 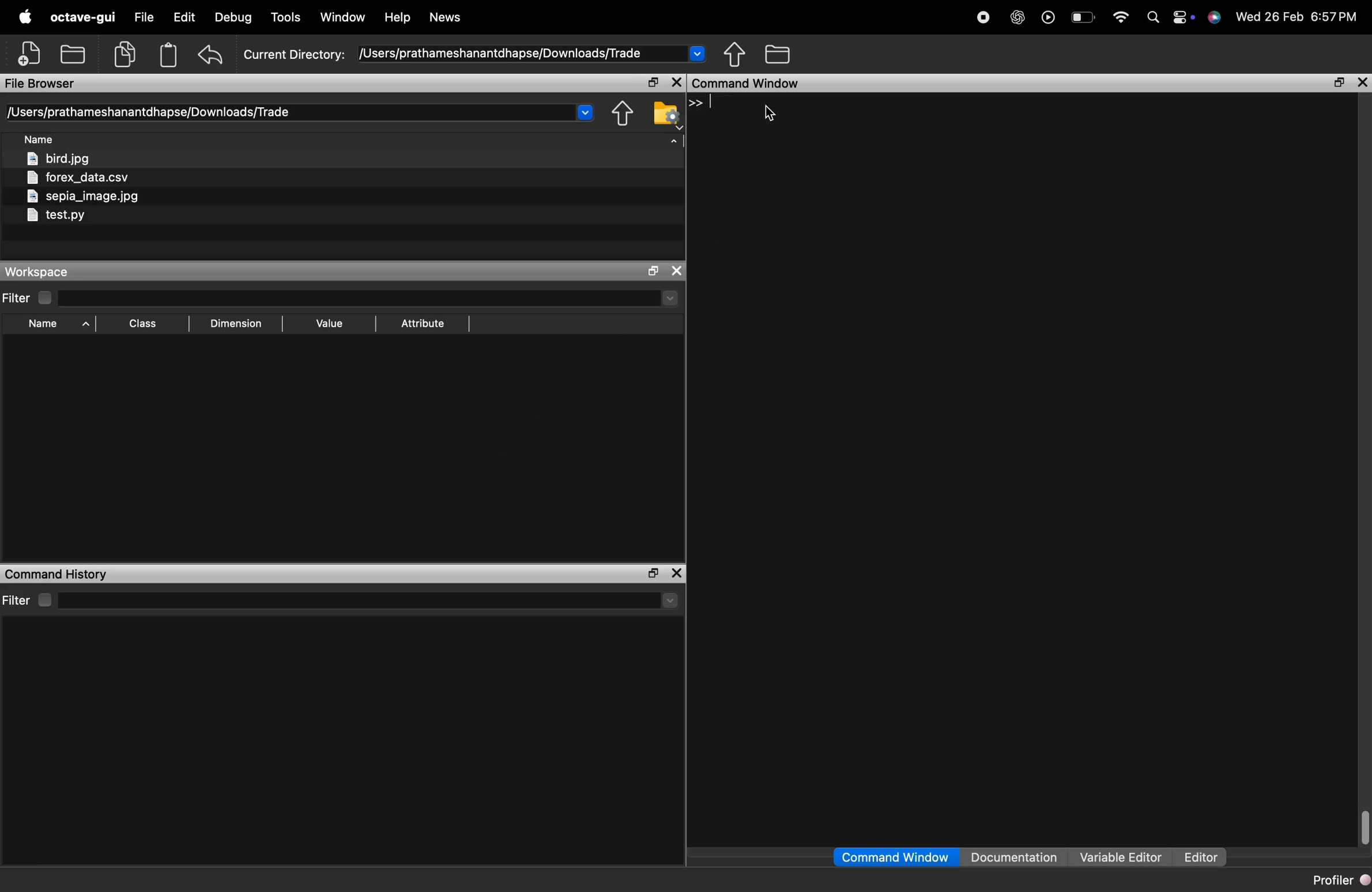 I want to click on directory, so click(x=301, y=113).